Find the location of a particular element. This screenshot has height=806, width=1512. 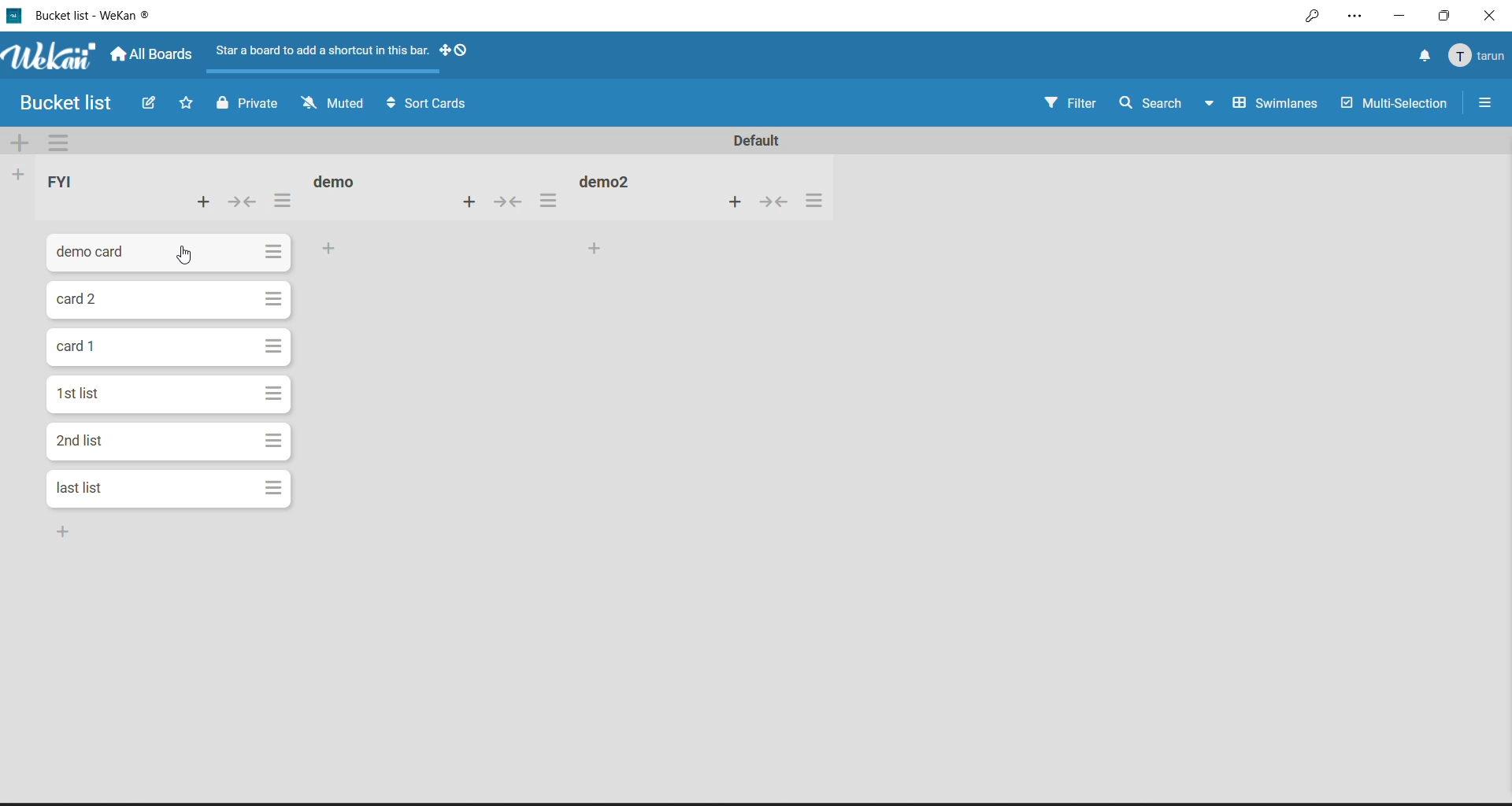

card actions is located at coordinates (276, 394).